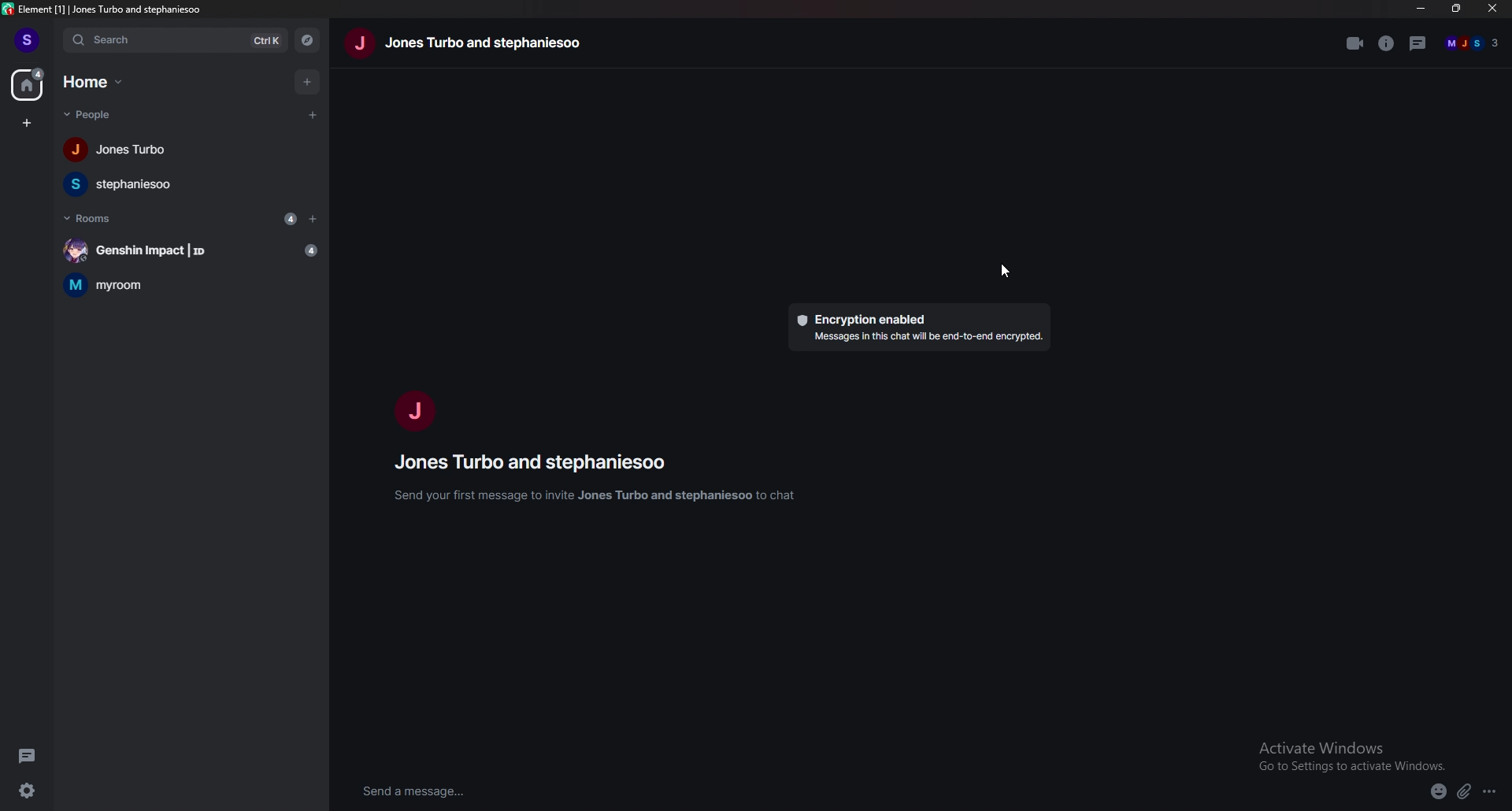  What do you see at coordinates (30, 790) in the screenshot?
I see `settings` at bounding box center [30, 790].